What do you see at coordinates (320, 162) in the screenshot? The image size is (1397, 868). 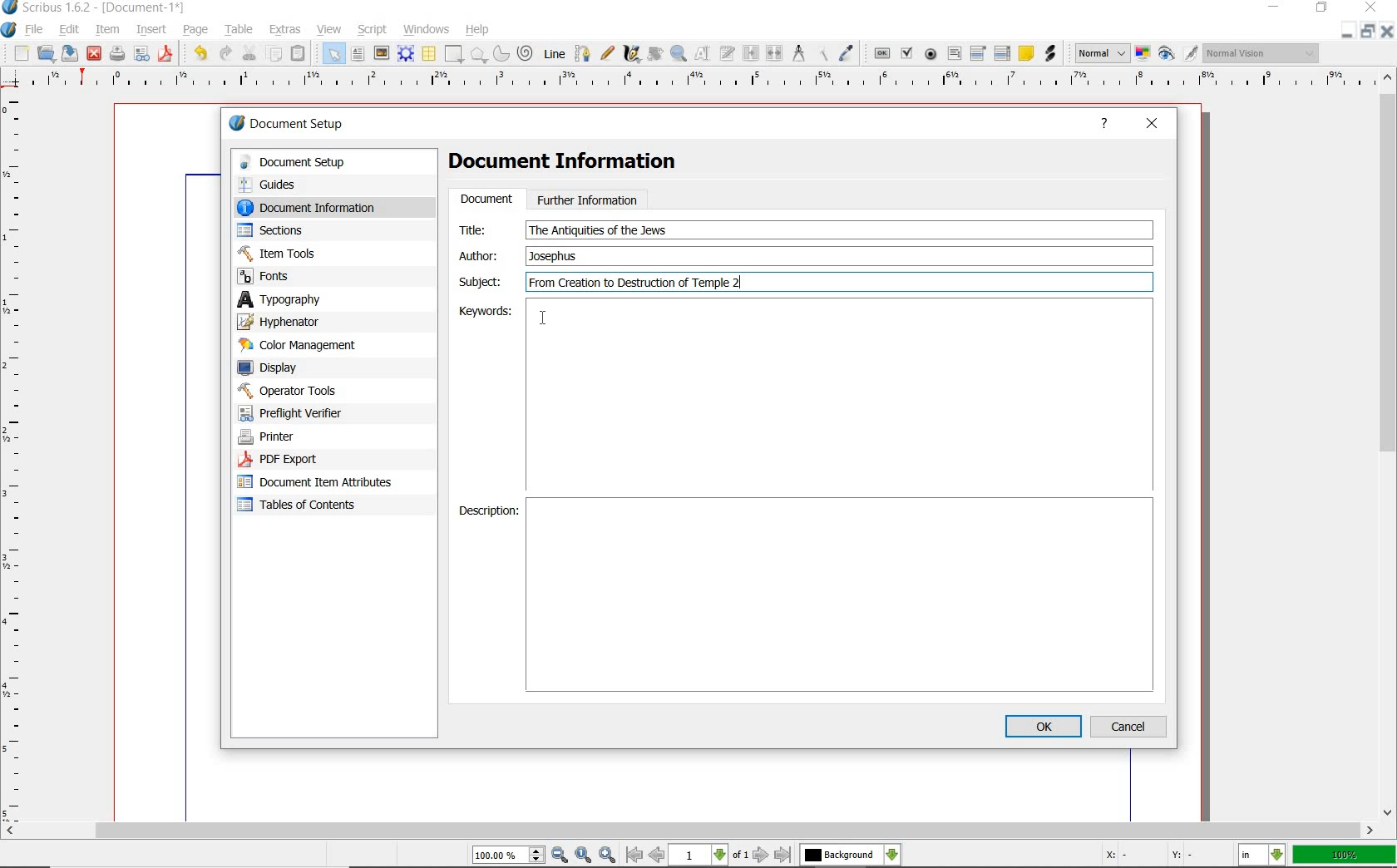 I see `document setup` at bounding box center [320, 162].